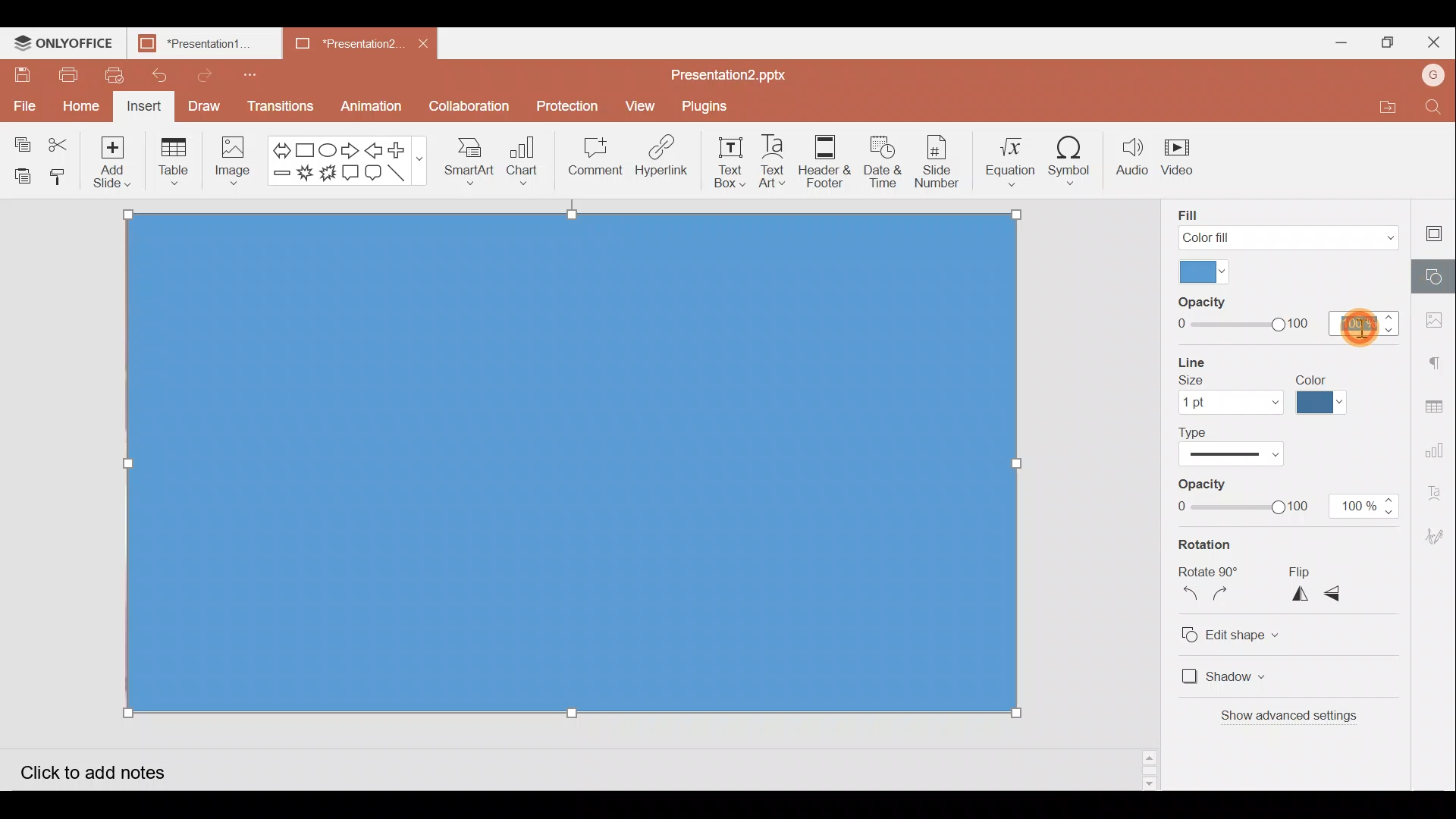  I want to click on Signature settings, so click(1438, 534).